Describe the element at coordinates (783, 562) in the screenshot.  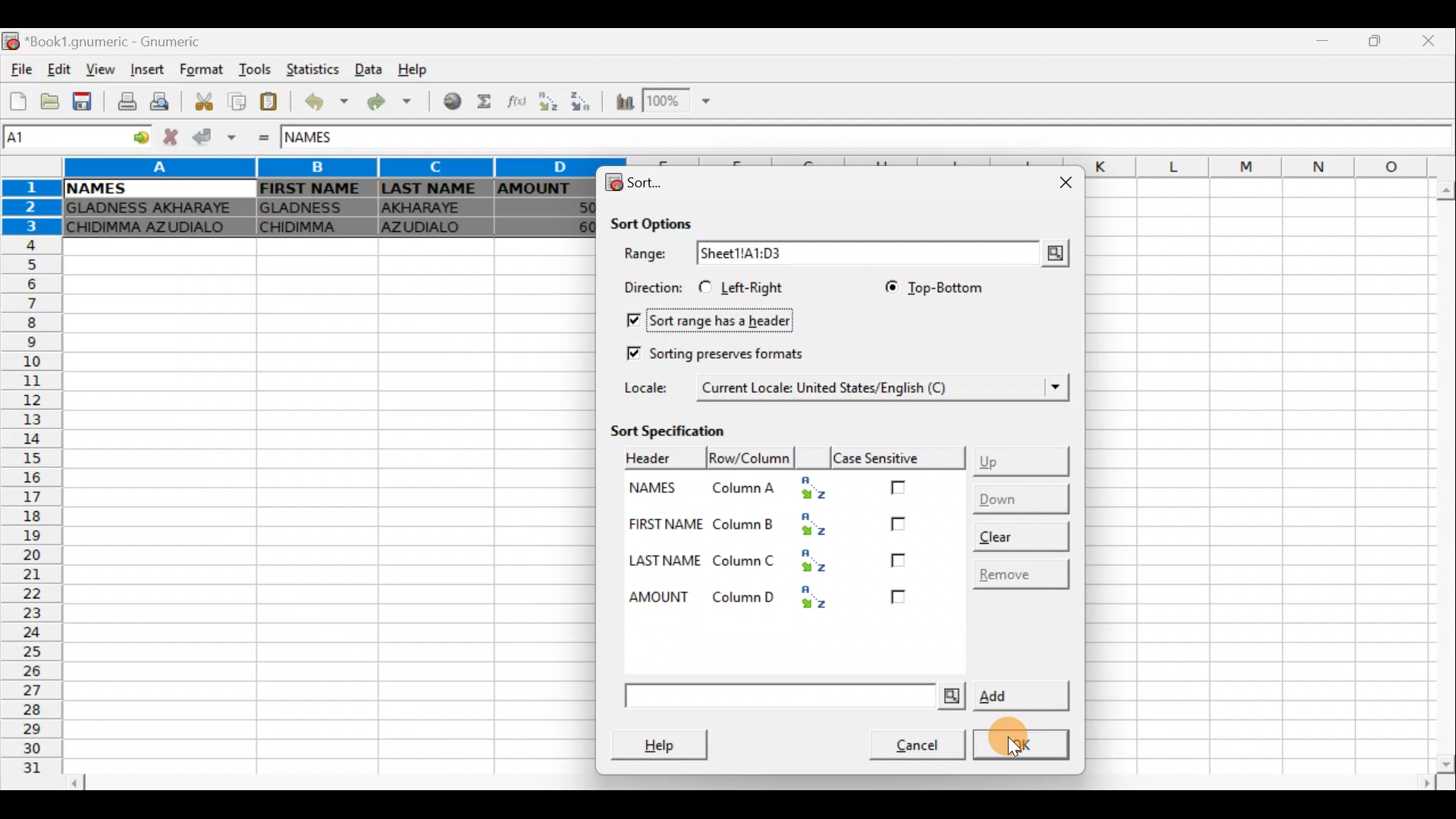
I see `Column C` at that location.